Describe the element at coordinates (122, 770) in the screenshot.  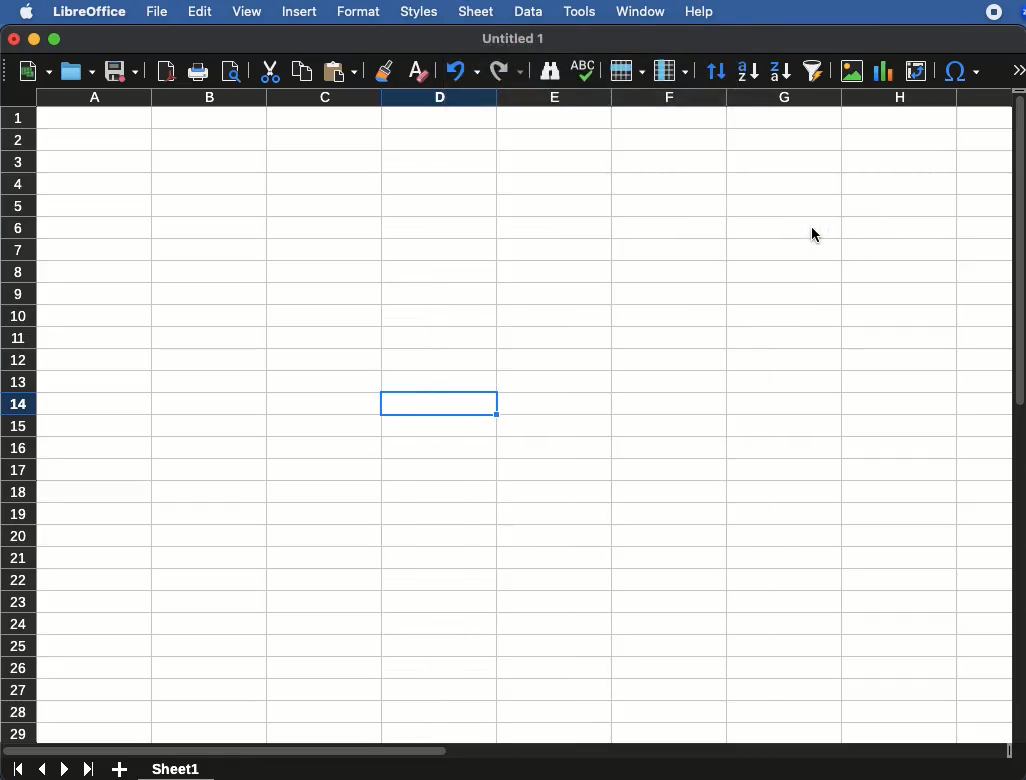
I see `add` at that location.